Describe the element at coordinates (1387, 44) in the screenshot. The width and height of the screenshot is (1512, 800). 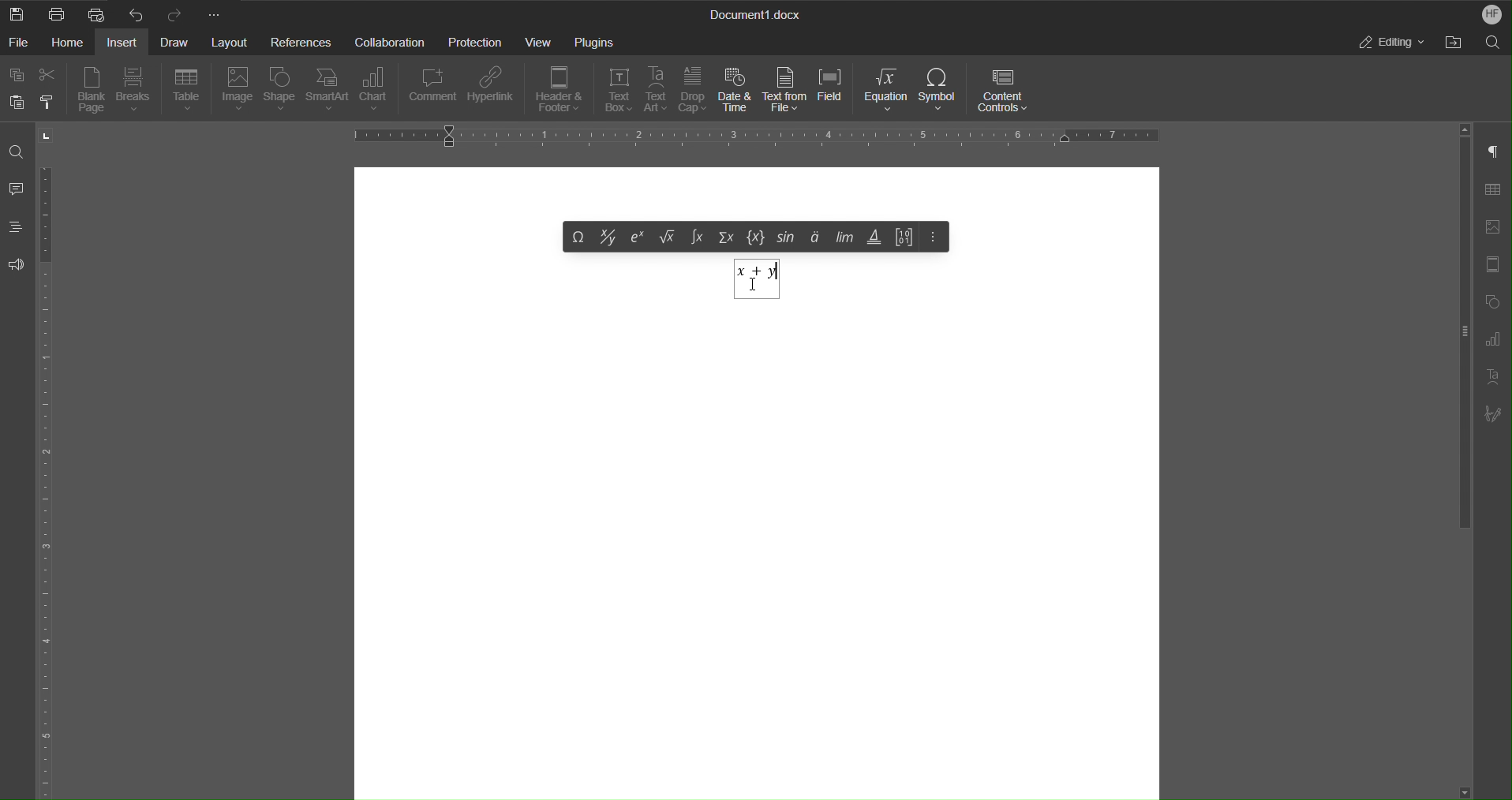
I see `Editing` at that location.